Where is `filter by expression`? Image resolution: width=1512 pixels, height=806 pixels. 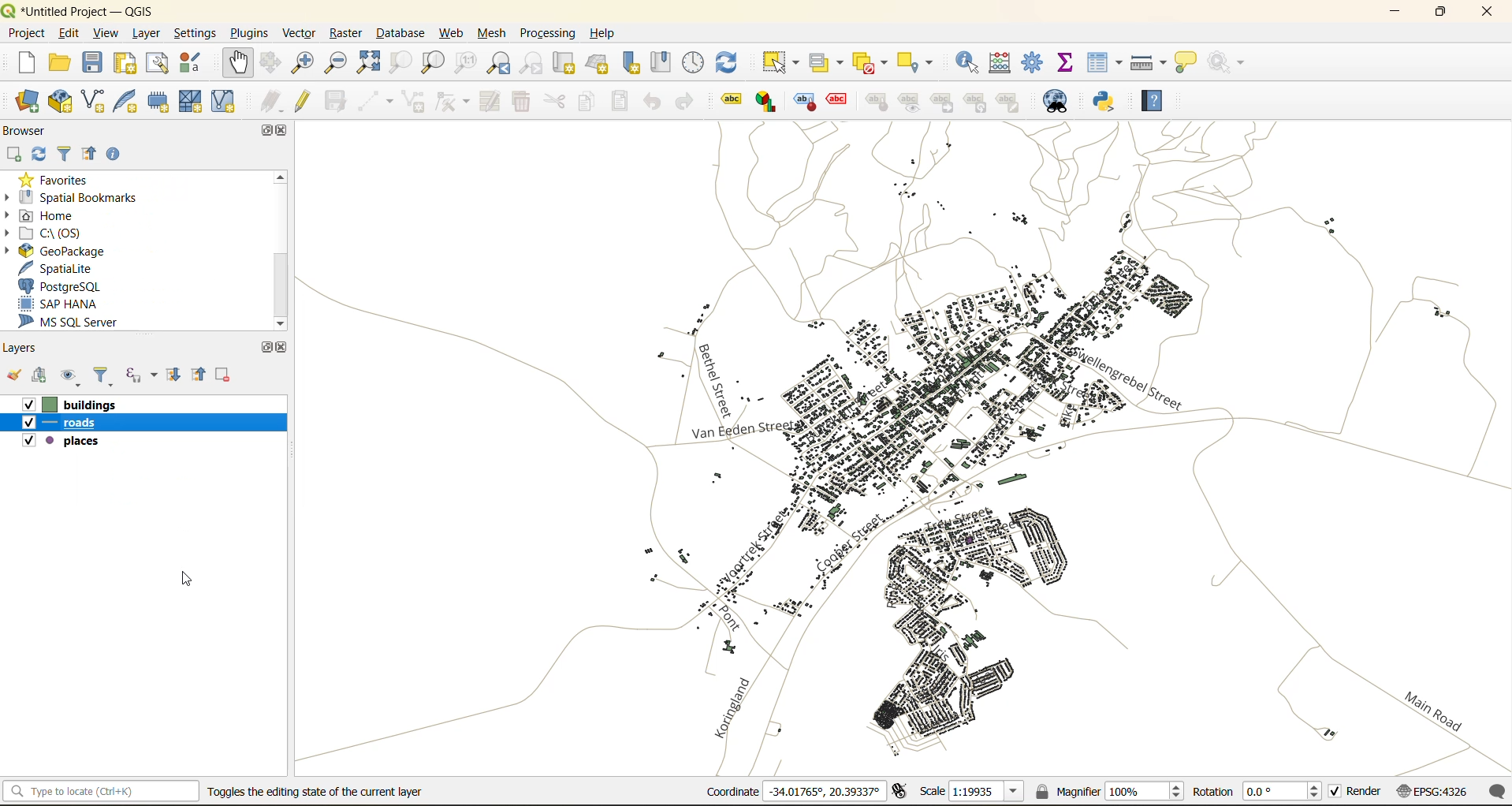
filter by expression is located at coordinates (145, 375).